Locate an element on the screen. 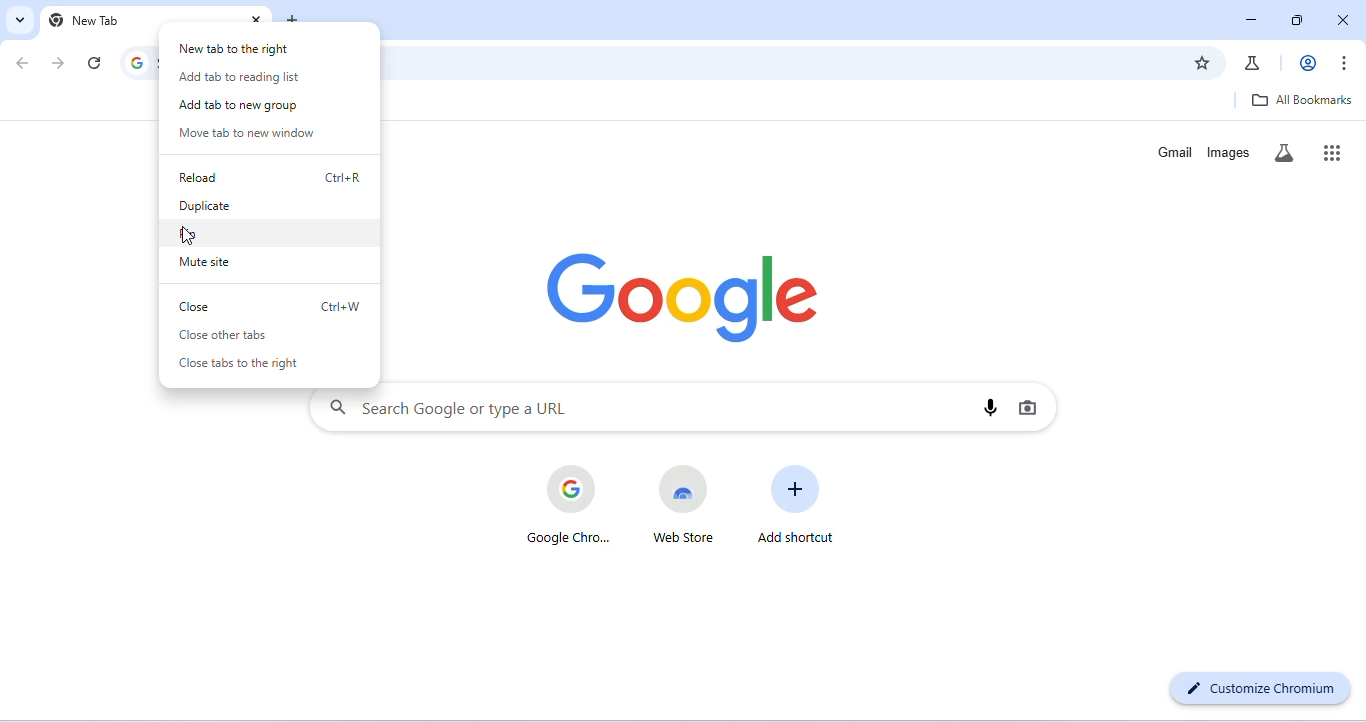 The width and height of the screenshot is (1366, 722). close is located at coordinates (254, 18).